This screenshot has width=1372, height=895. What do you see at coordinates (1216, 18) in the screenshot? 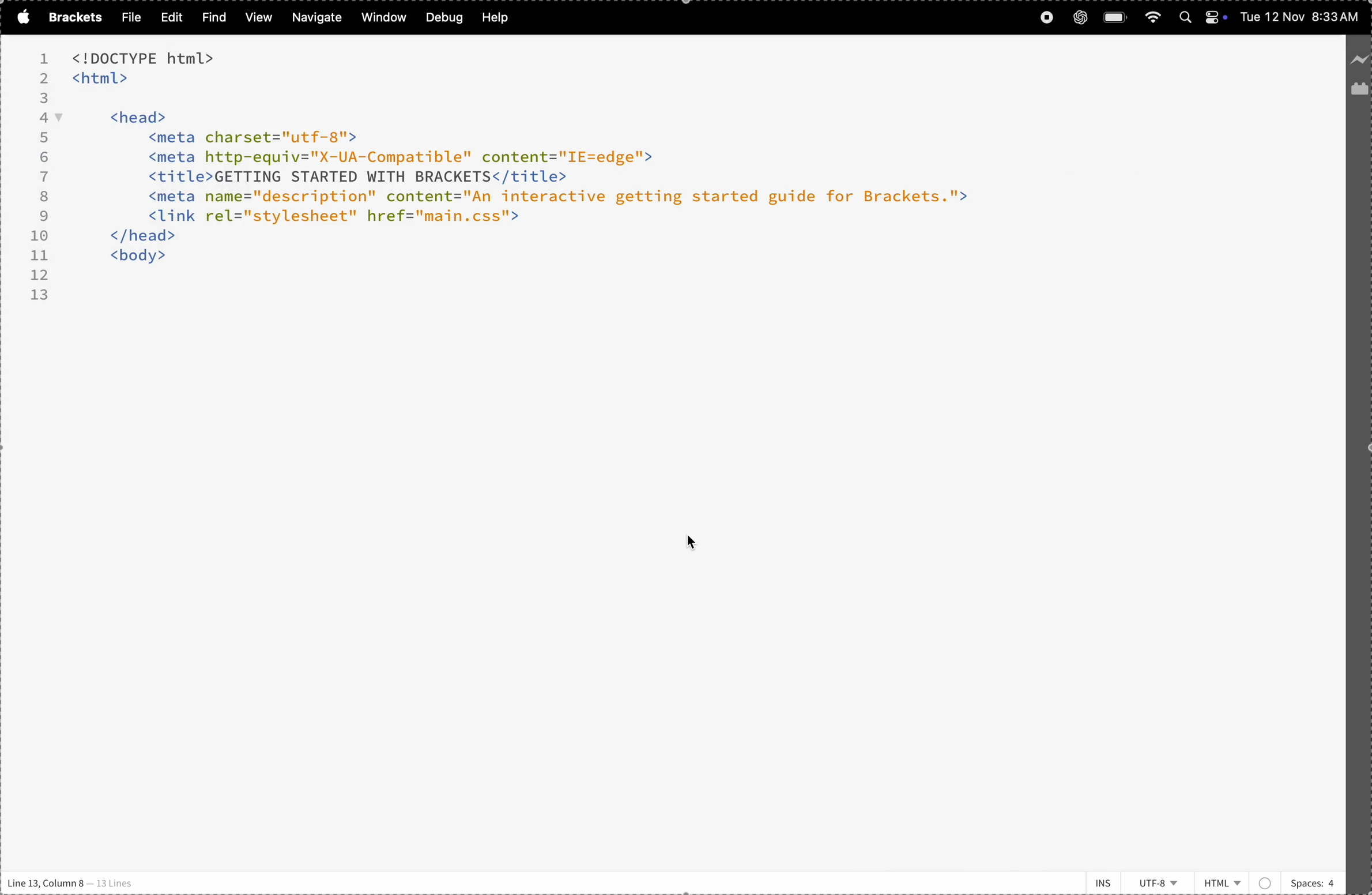
I see `apple widgets` at bounding box center [1216, 18].